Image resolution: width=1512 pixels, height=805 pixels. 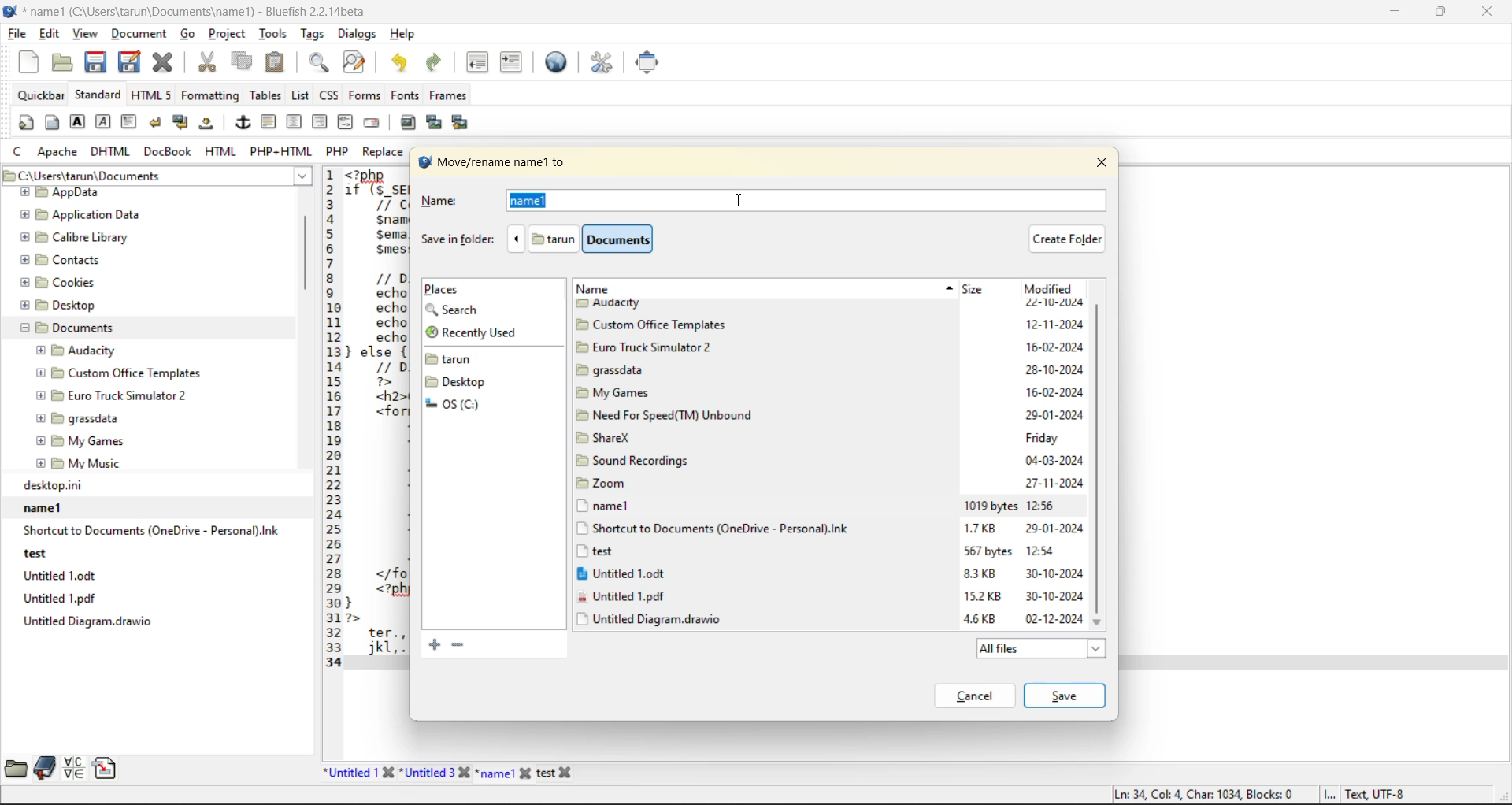 What do you see at coordinates (452, 773) in the screenshot?
I see `file names` at bounding box center [452, 773].